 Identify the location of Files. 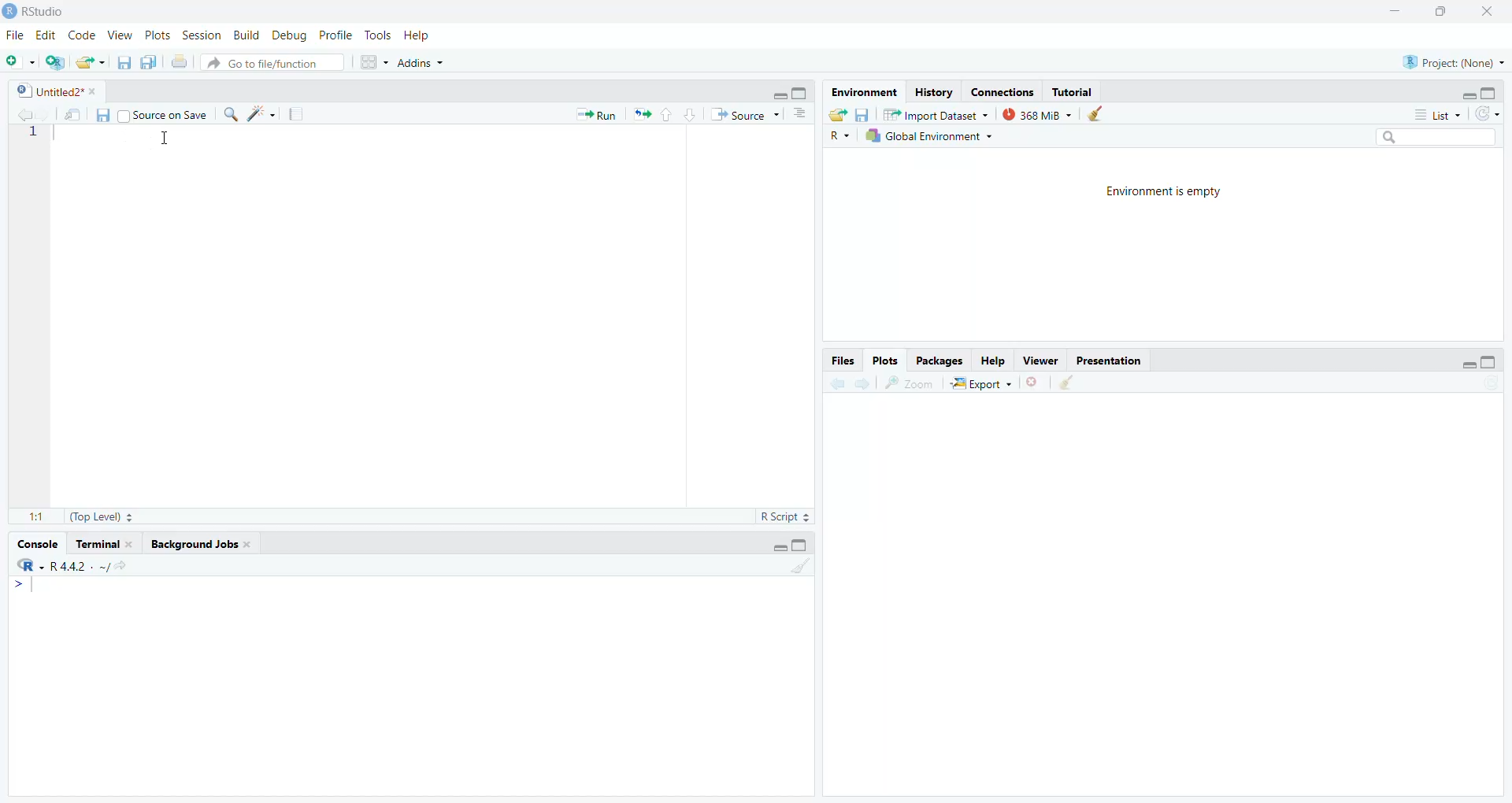
(834, 361).